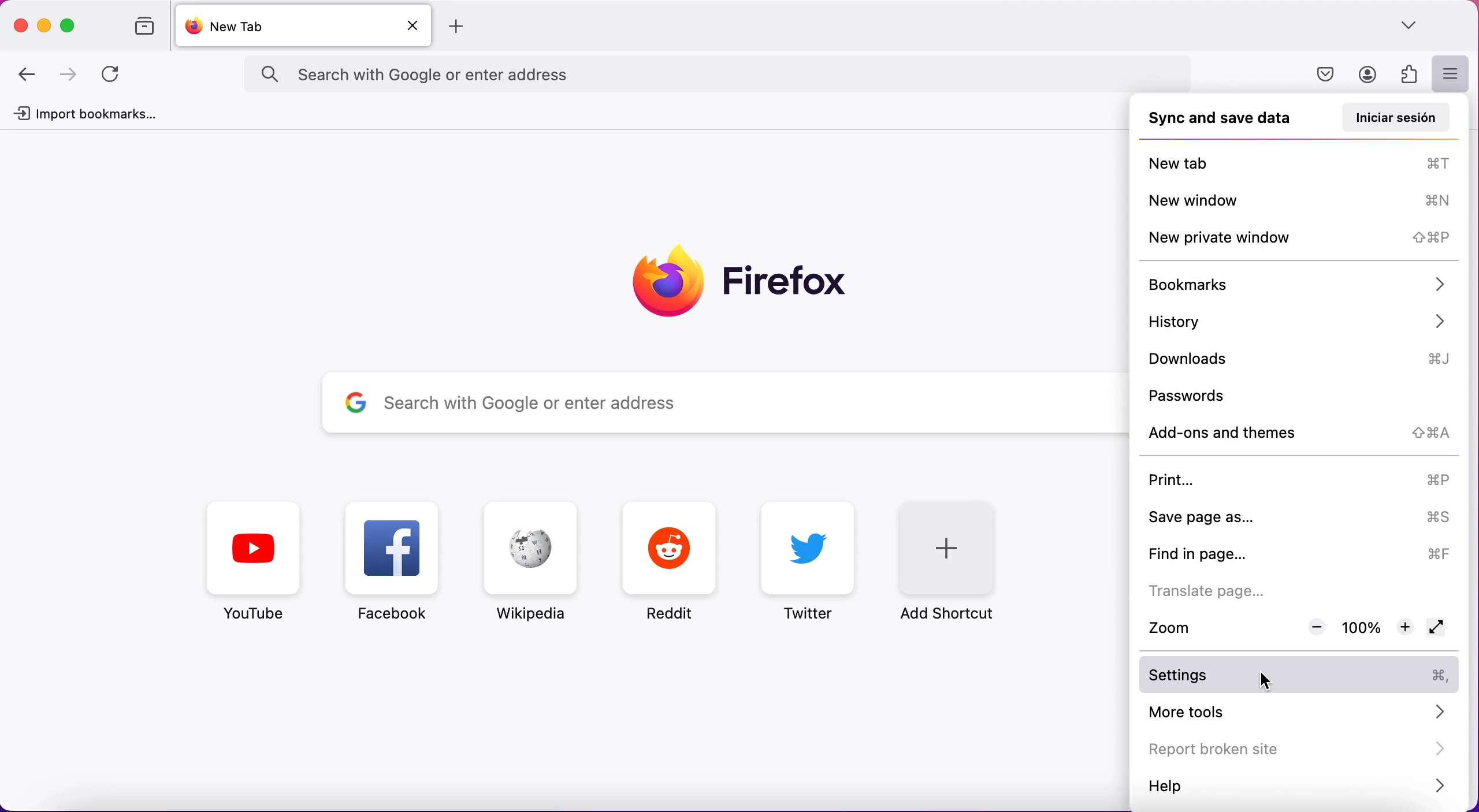  I want to click on zoom out, so click(1314, 627).